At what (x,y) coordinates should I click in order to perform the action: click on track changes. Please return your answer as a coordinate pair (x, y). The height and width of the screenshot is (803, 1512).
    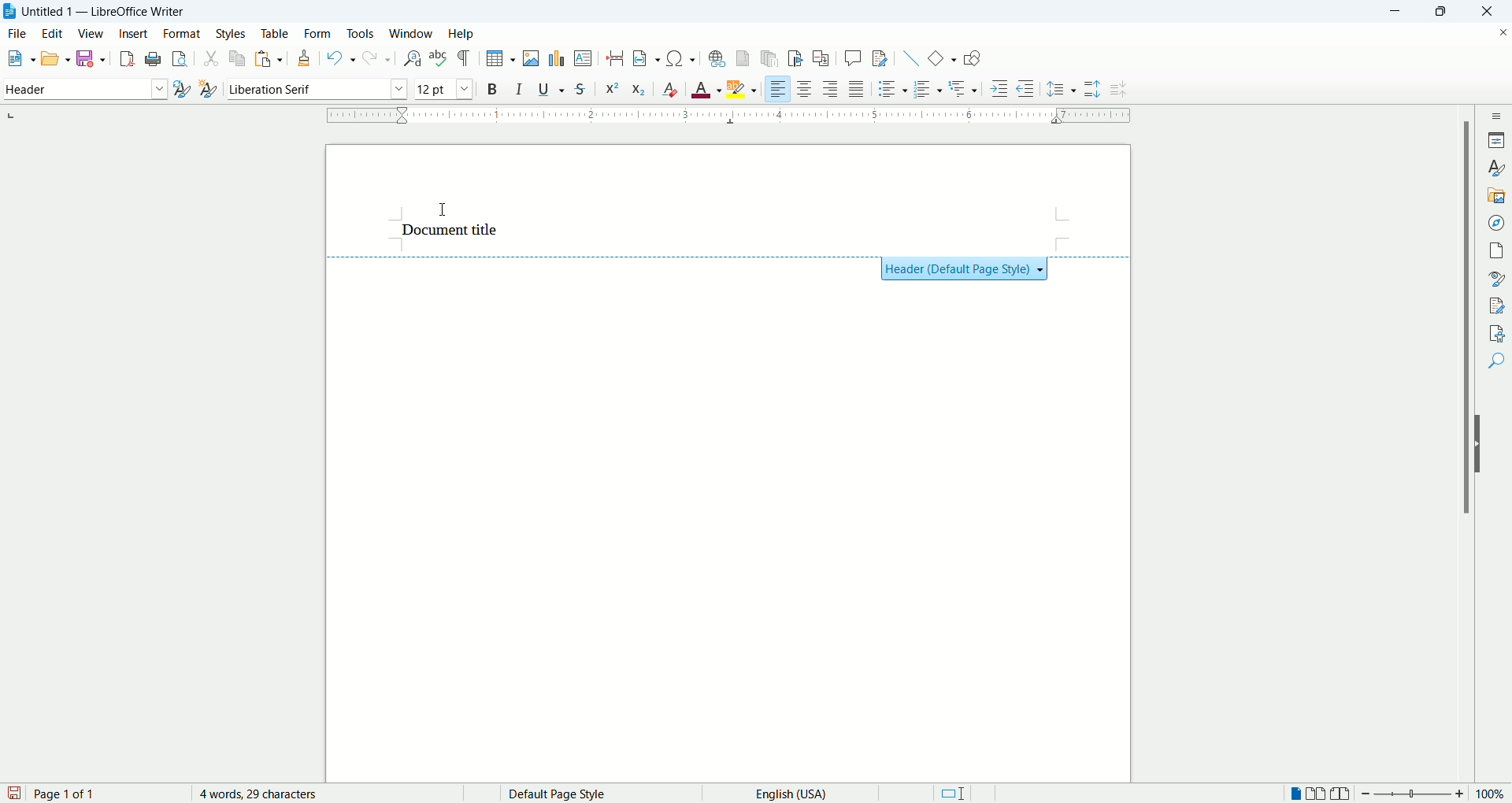
    Looking at the image, I should click on (879, 59).